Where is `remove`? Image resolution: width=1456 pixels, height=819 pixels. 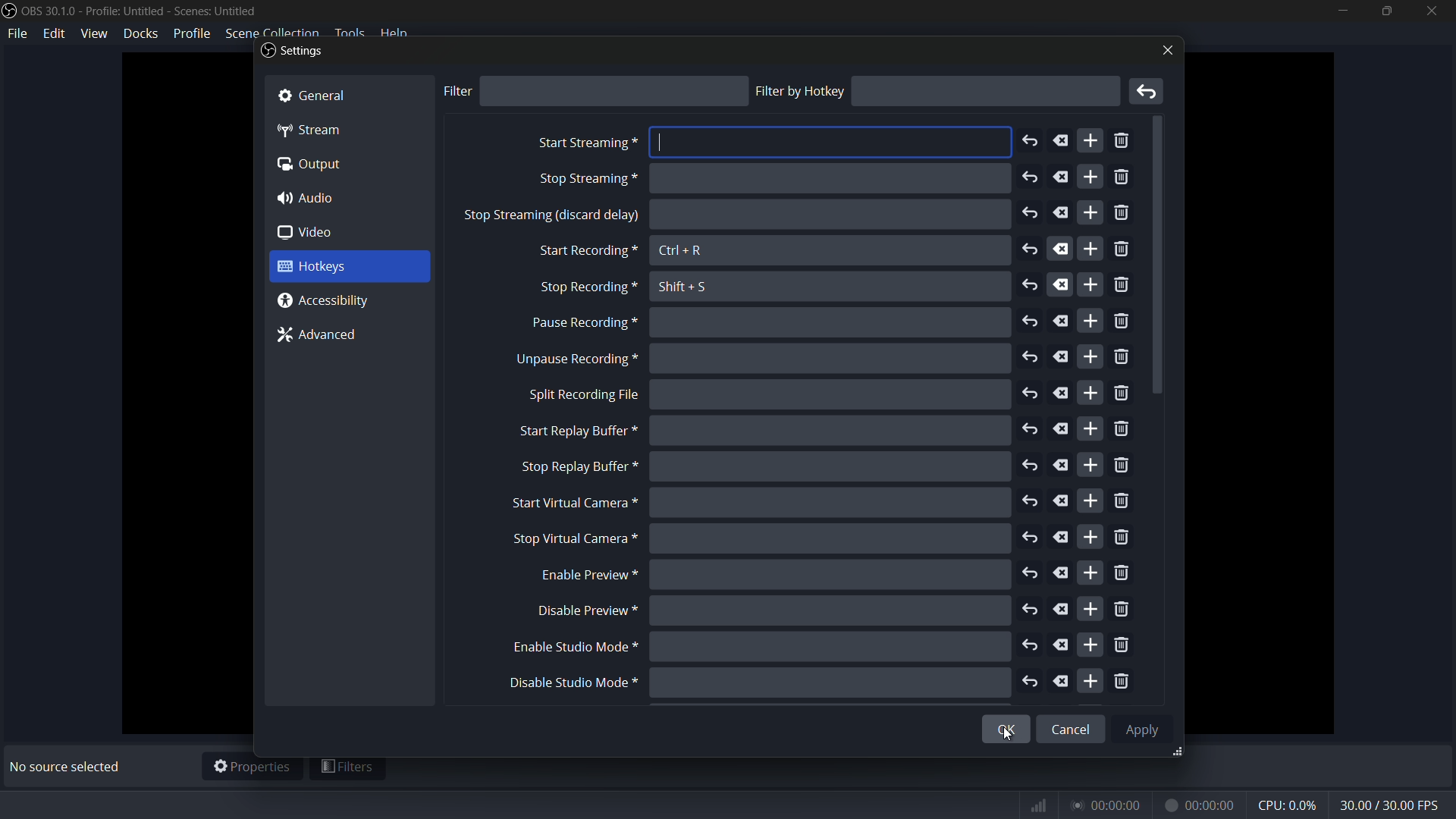
remove is located at coordinates (1122, 430).